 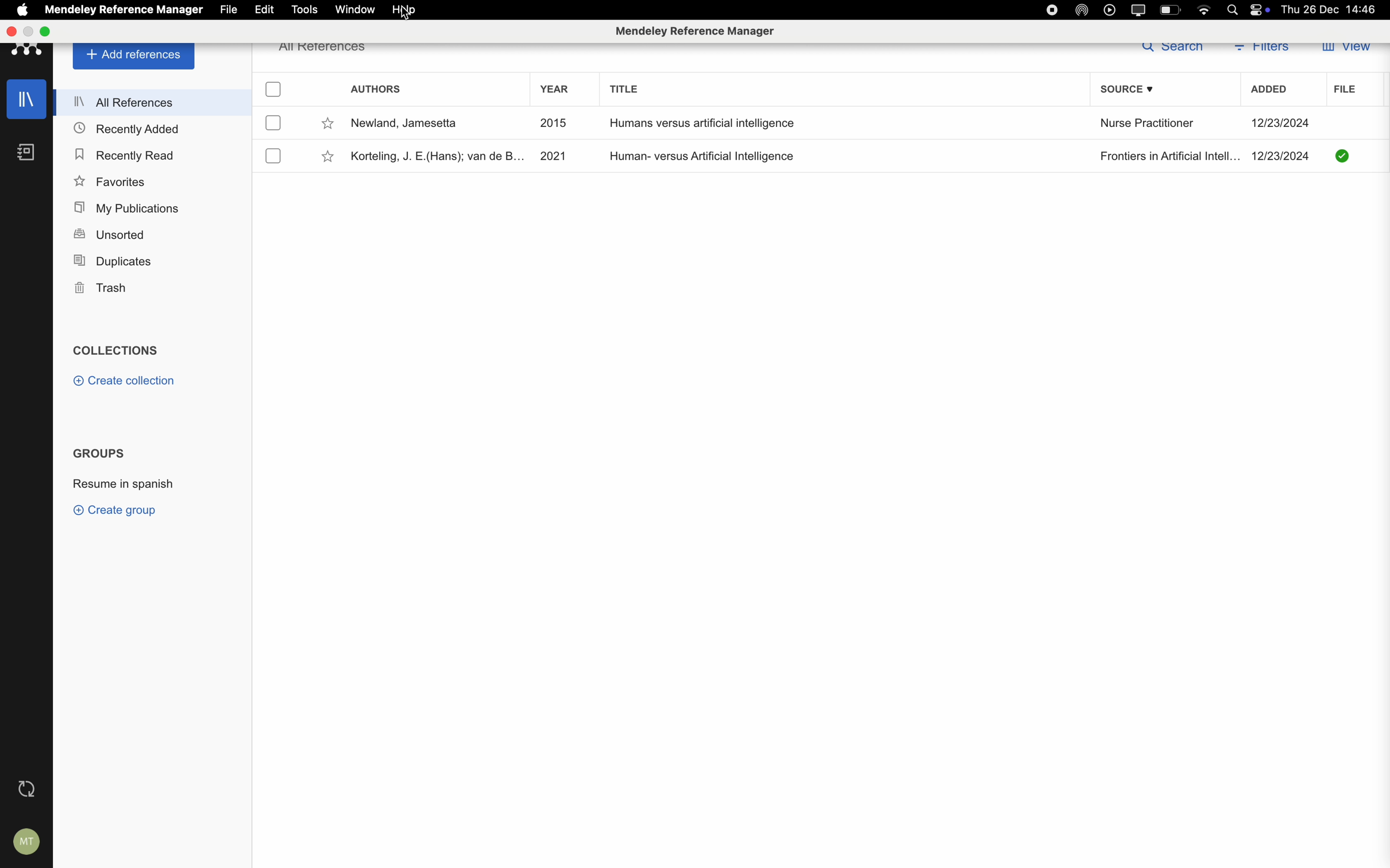 What do you see at coordinates (1082, 9) in the screenshot?
I see `airdrop` at bounding box center [1082, 9].